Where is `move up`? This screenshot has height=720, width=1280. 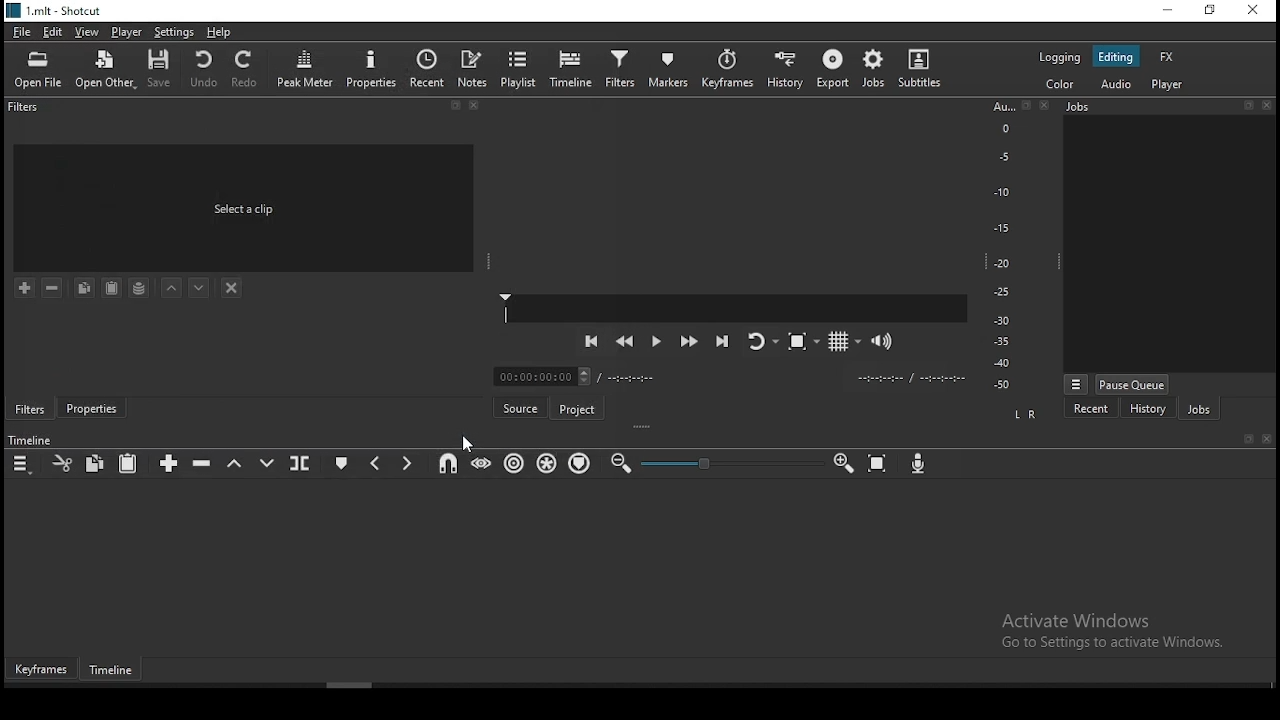 move up is located at coordinates (201, 288).